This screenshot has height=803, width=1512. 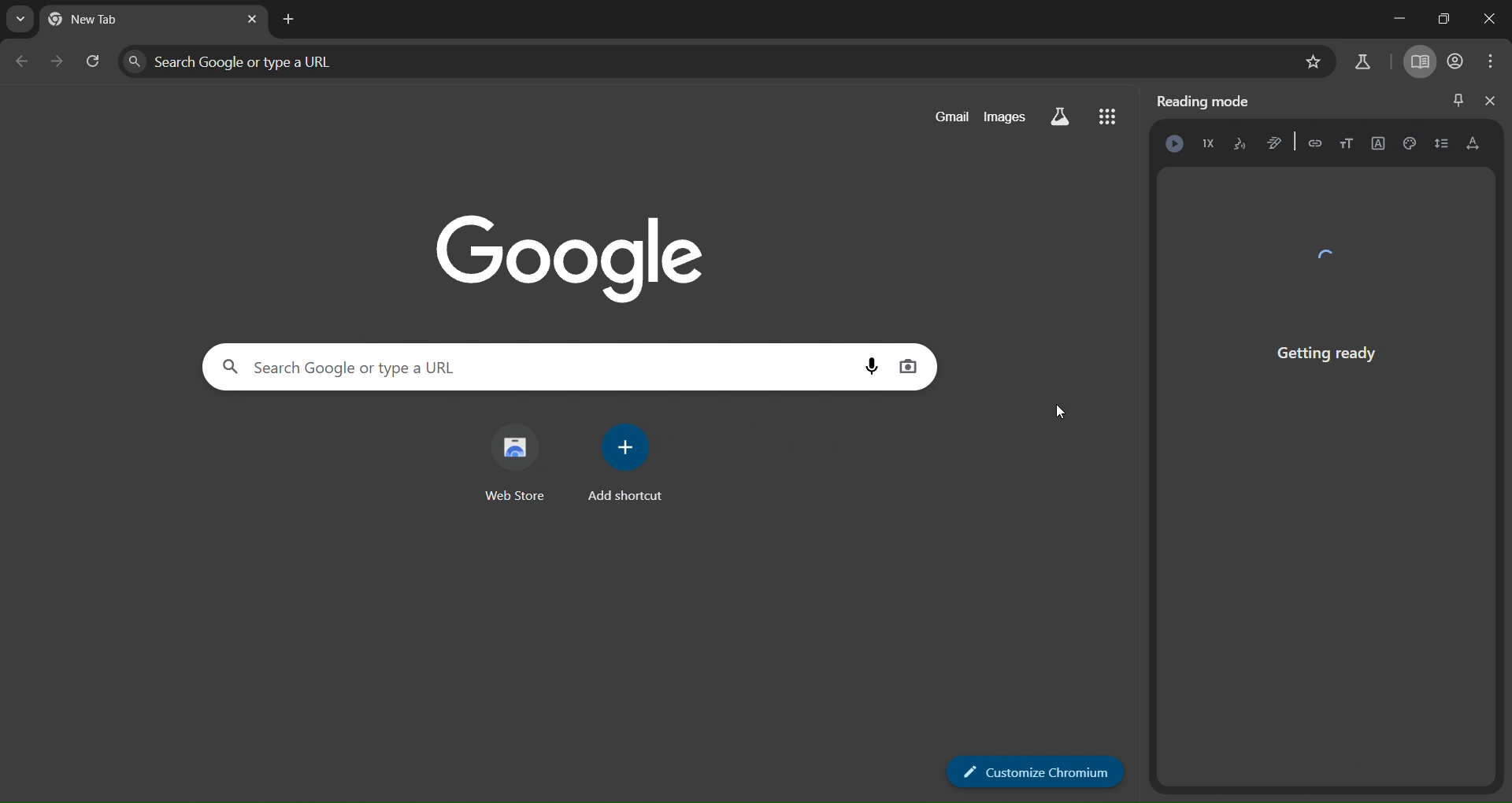 What do you see at coordinates (1062, 116) in the screenshot?
I see `search labs` at bounding box center [1062, 116].